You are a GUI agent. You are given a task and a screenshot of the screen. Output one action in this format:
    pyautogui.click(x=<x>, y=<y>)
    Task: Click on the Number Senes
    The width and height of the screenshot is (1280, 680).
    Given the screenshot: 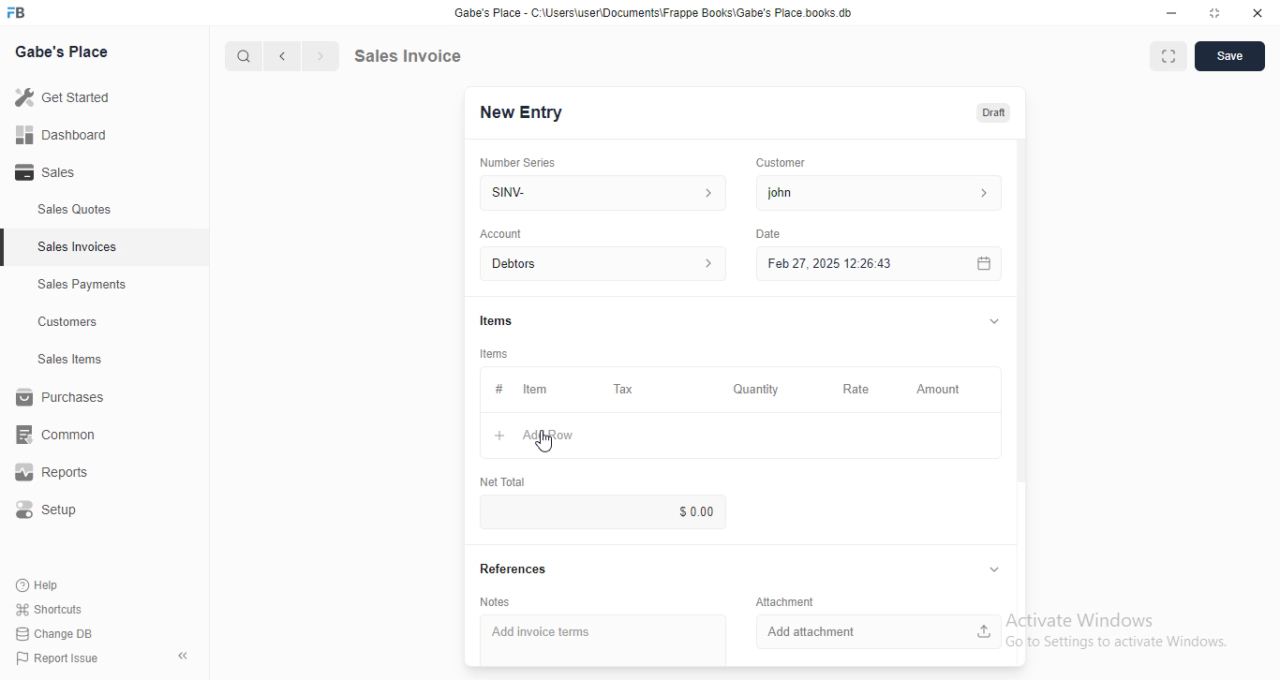 What is the action you would take?
    pyautogui.click(x=525, y=160)
    